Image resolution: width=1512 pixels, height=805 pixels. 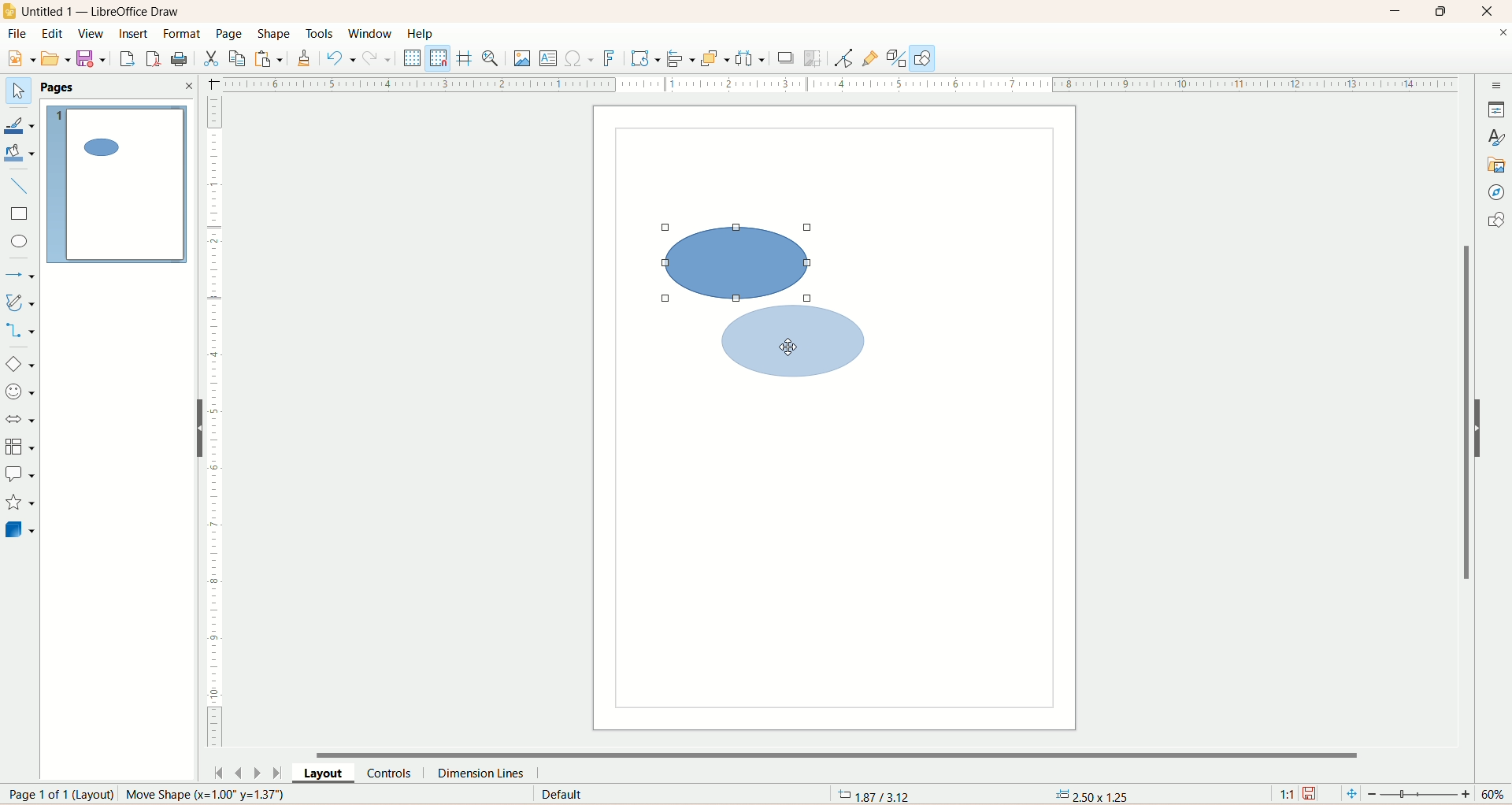 I want to click on edit, so click(x=51, y=33).